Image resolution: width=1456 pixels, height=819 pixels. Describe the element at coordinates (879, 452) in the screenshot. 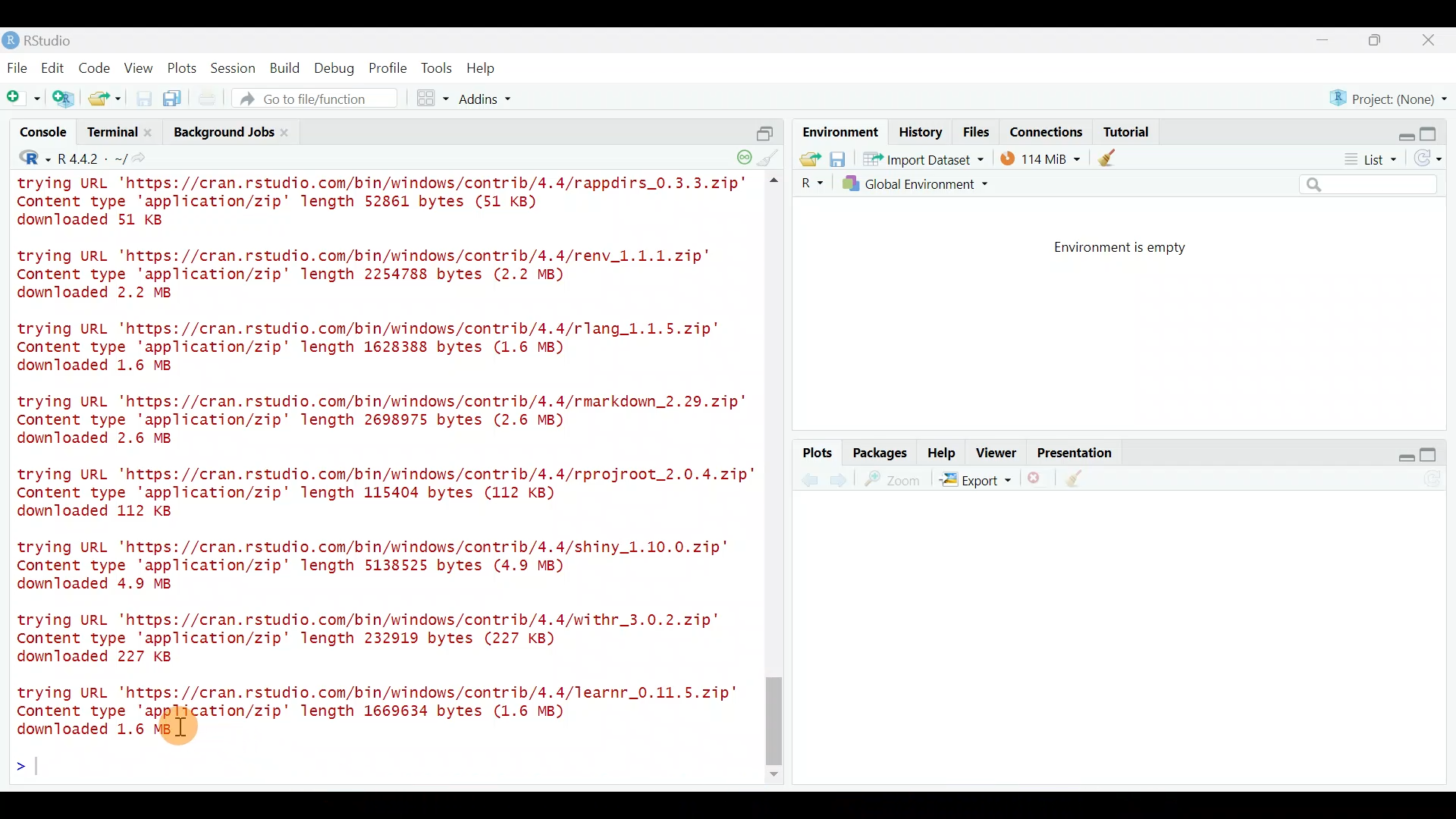

I see `Packages` at that location.